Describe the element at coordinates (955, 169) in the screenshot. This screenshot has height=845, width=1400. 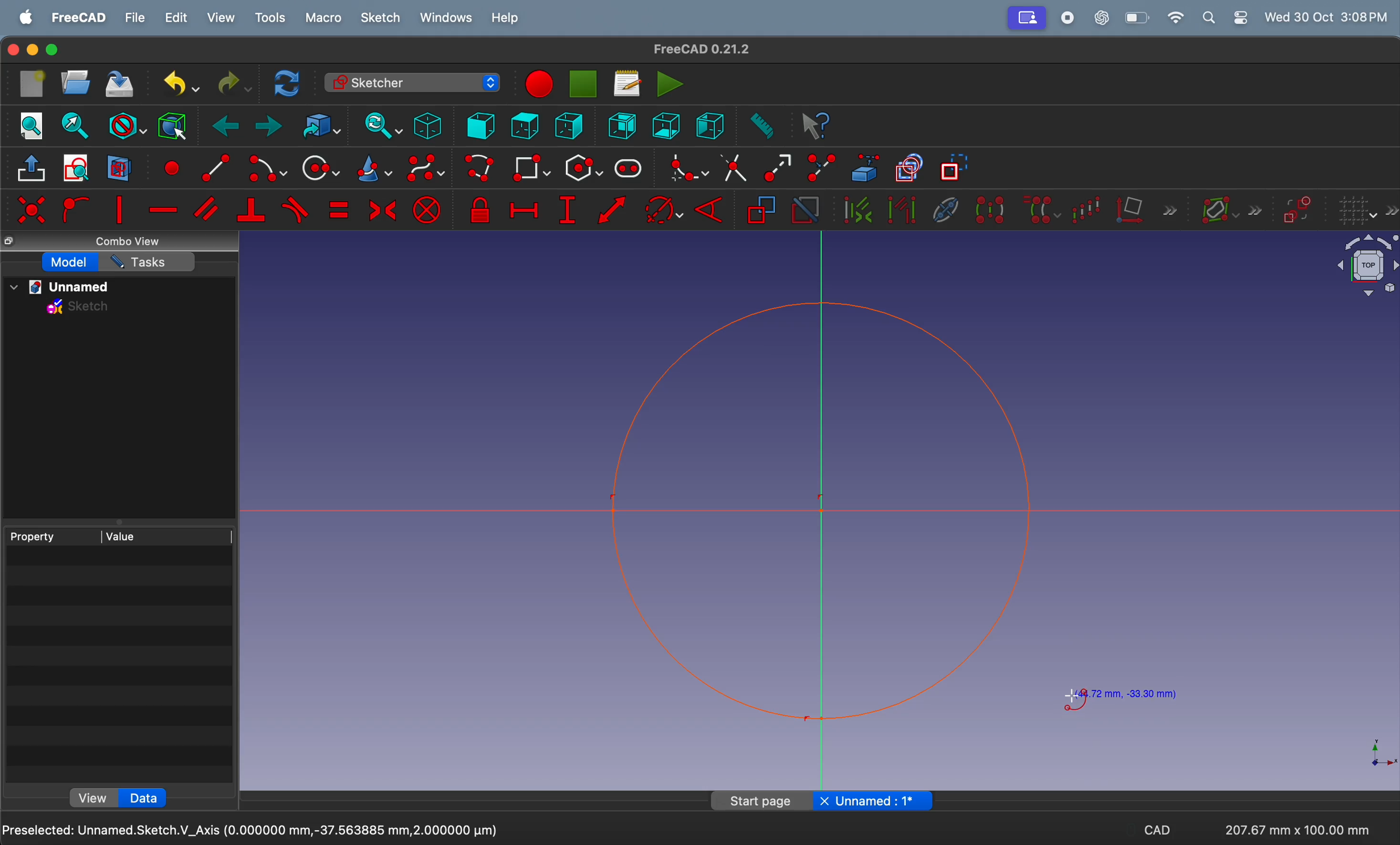
I see `toggle construction` at that location.